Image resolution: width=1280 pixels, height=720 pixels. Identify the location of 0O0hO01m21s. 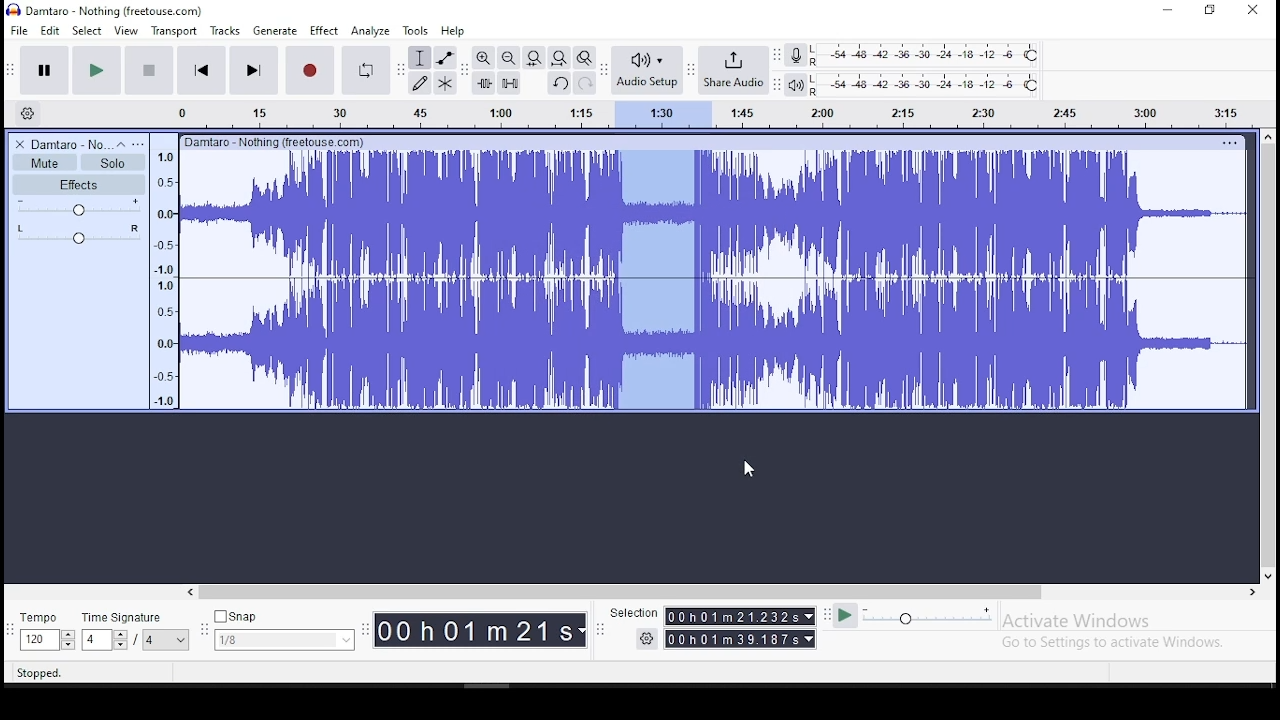
(475, 630).